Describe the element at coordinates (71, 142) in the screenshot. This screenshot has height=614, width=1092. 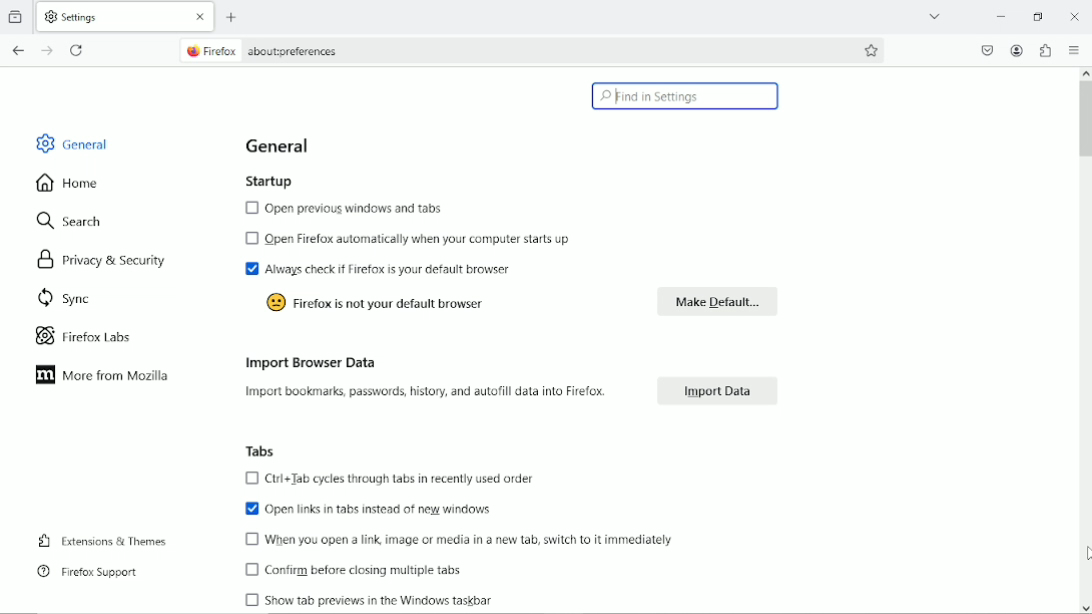
I see `general` at that location.